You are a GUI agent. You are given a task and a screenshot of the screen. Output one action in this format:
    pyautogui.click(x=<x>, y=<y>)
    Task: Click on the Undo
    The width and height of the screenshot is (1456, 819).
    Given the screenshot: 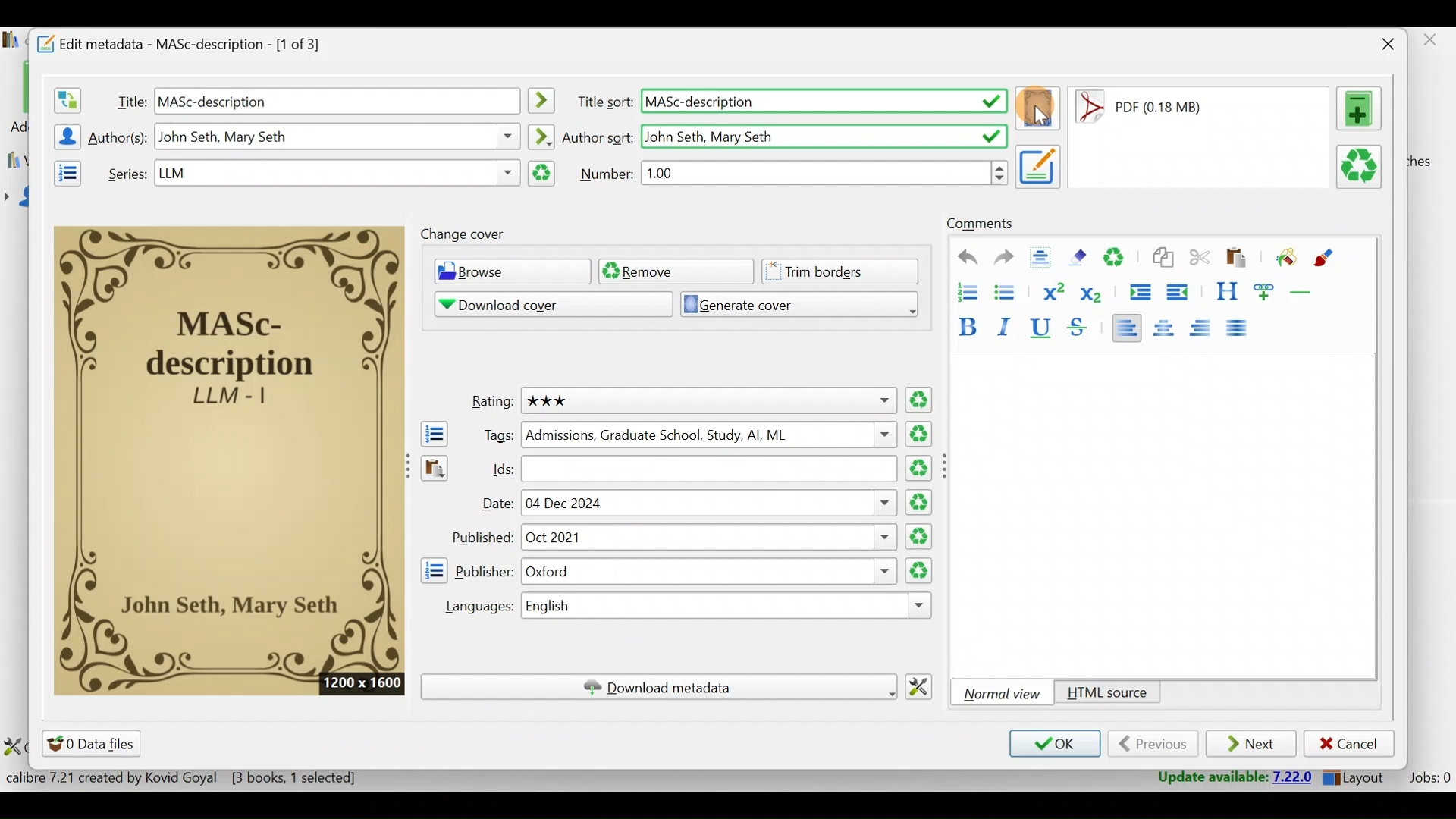 What is the action you would take?
    pyautogui.click(x=961, y=258)
    